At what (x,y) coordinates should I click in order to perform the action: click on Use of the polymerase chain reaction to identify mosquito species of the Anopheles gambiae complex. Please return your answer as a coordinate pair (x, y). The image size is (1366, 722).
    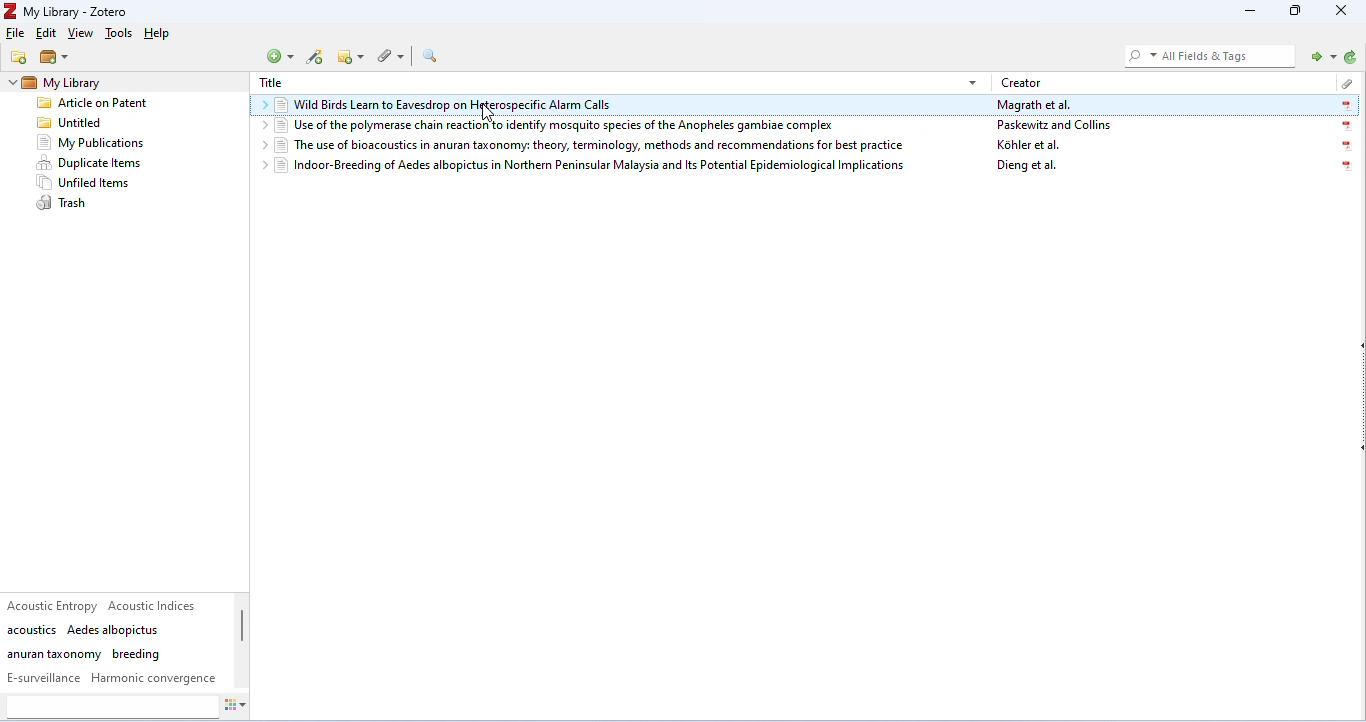
    Looking at the image, I should click on (585, 126).